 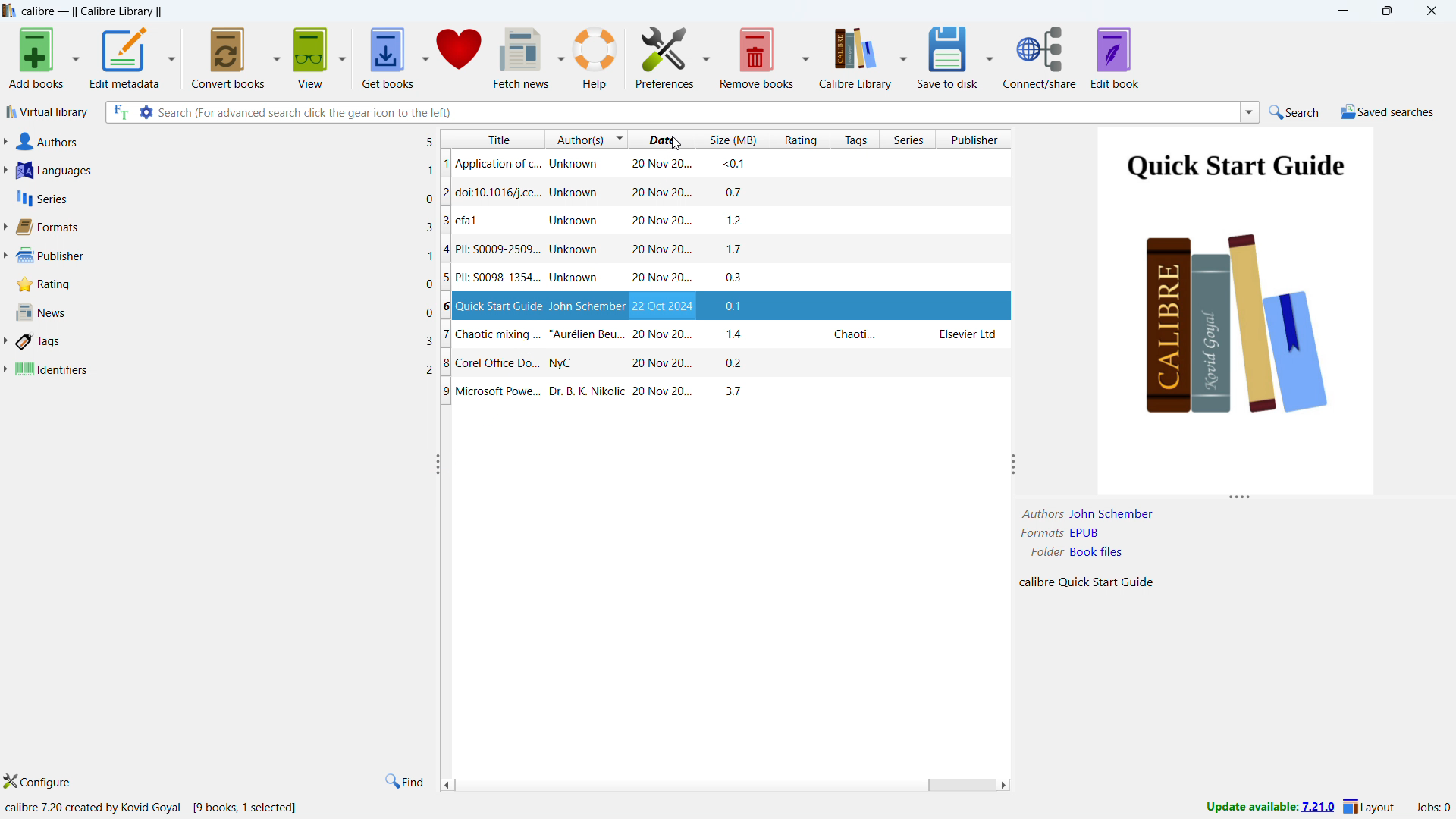 What do you see at coordinates (587, 306) in the screenshot?
I see `John Schember` at bounding box center [587, 306].